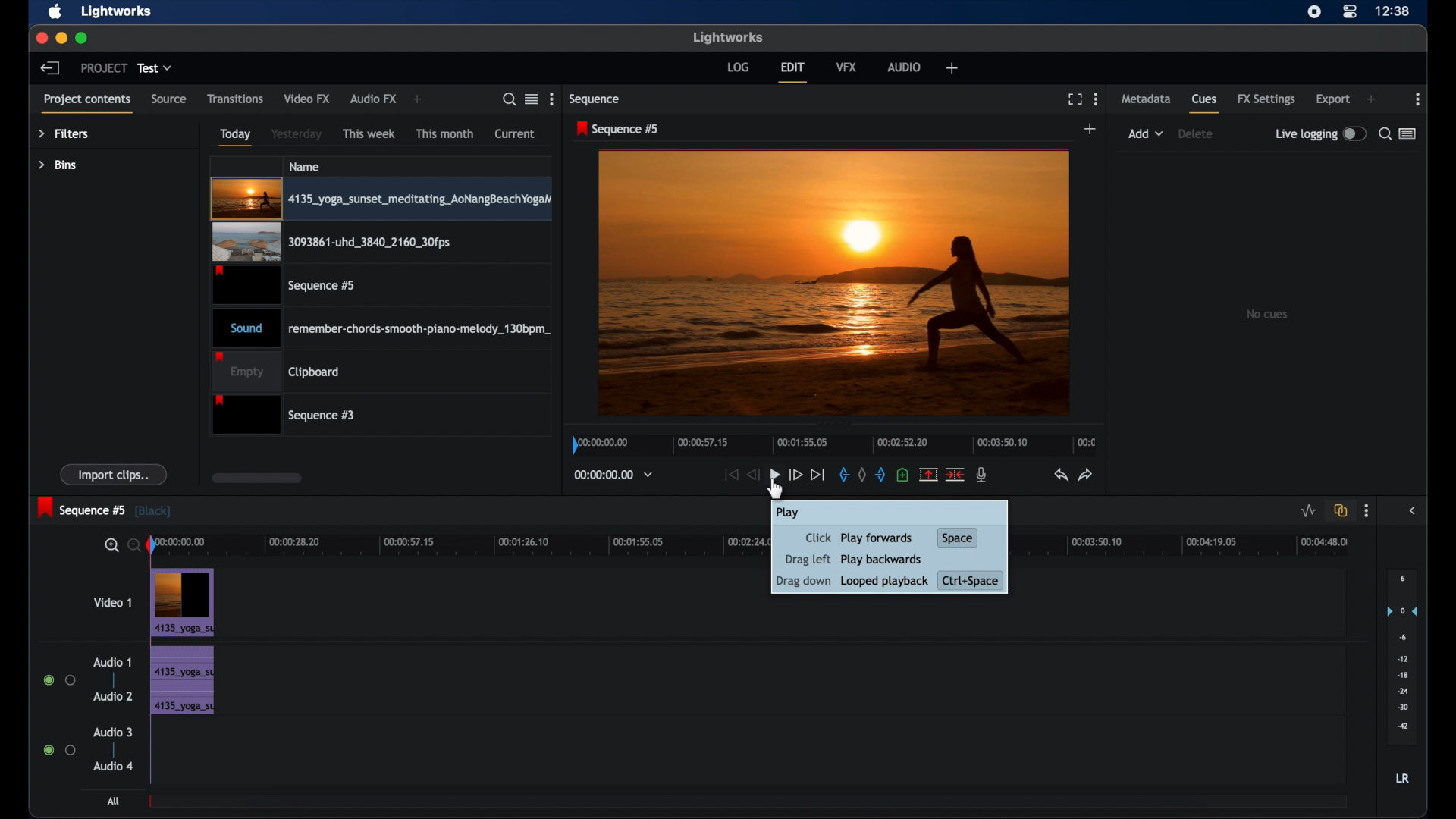  What do you see at coordinates (114, 800) in the screenshot?
I see `all` at bounding box center [114, 800].